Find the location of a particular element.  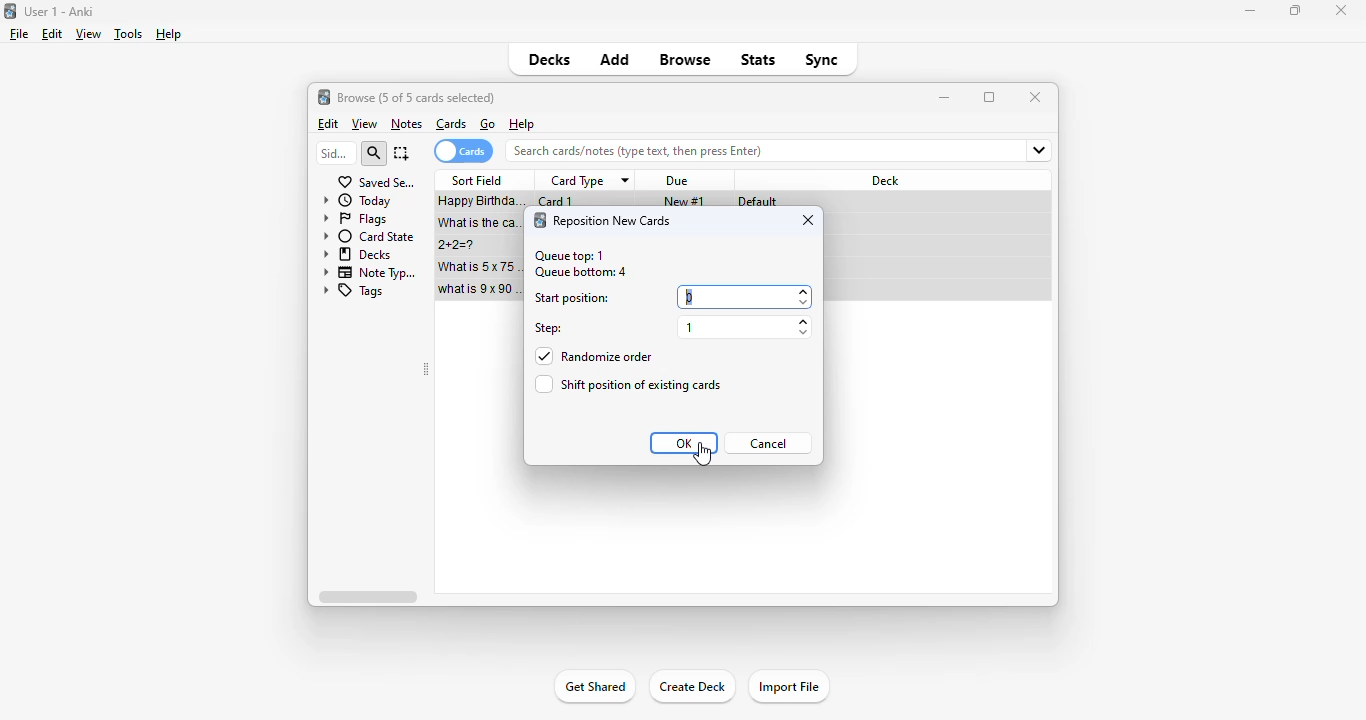

deck is located at coordinates (887, 180).